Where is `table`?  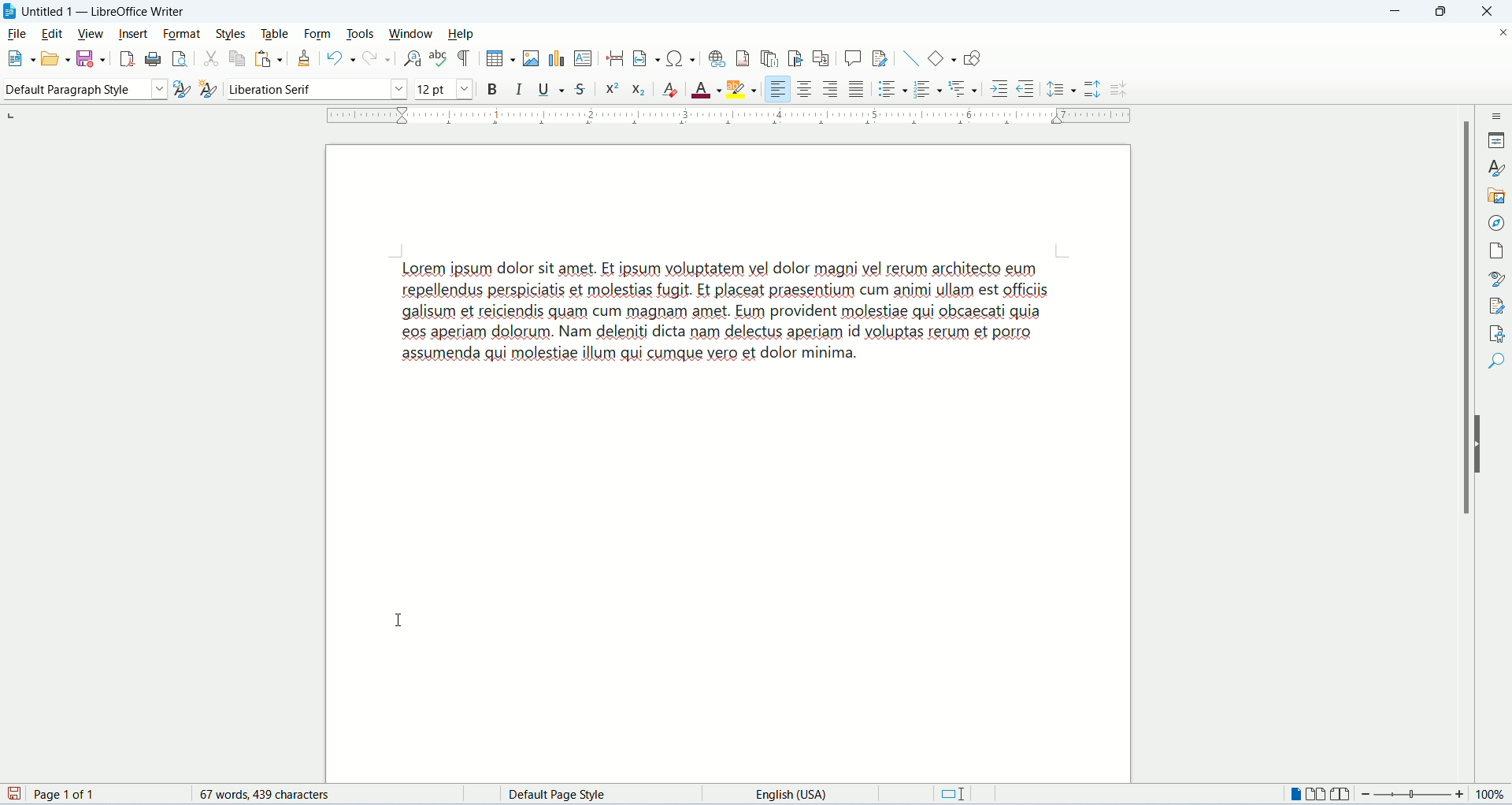 table is located at coordinates (274, 33).